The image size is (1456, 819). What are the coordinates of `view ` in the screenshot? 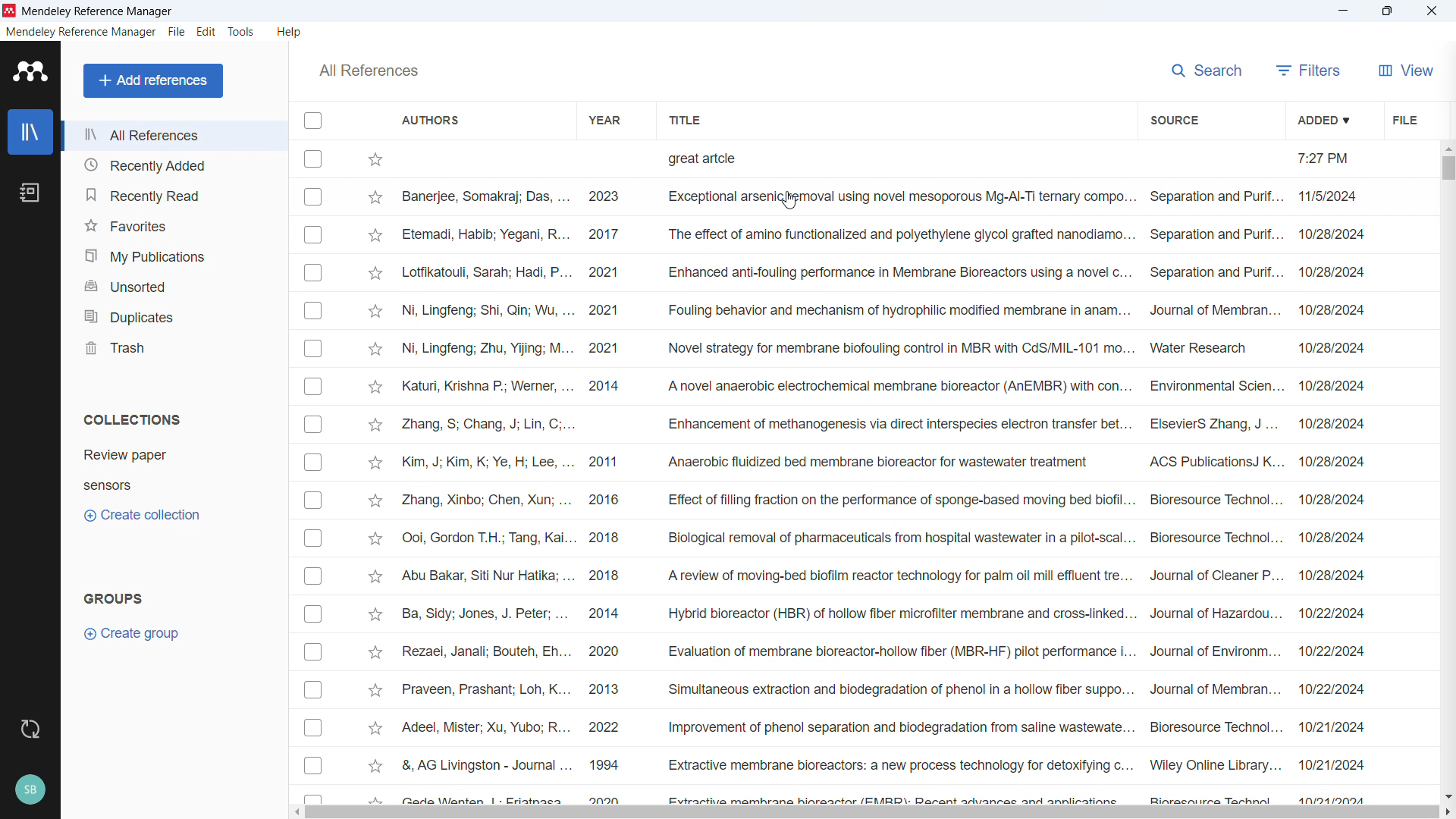 It's located at (1406, 69).